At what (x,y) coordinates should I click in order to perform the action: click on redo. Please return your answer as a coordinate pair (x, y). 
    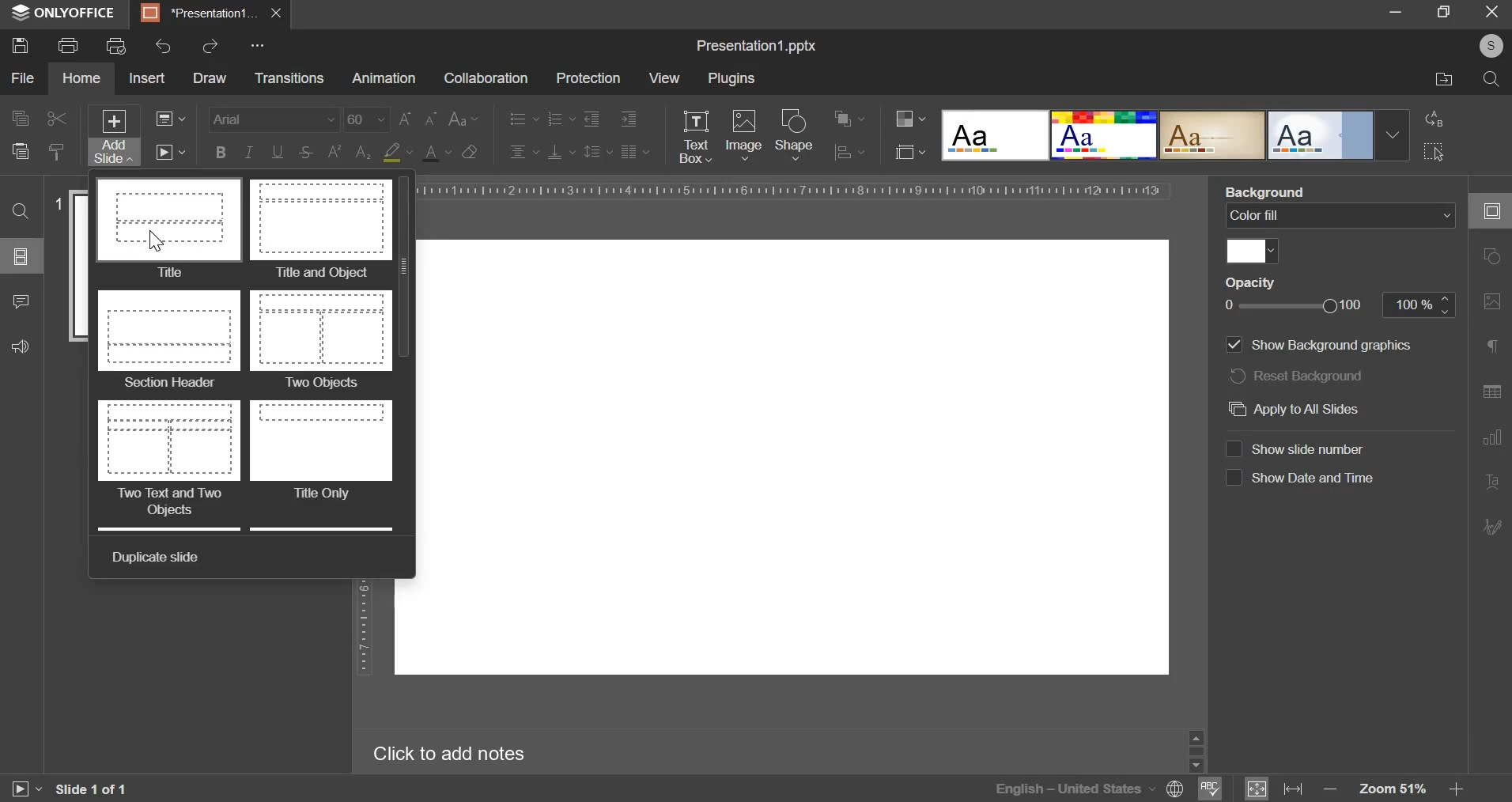
    Looking at the image, I should click on (209, 45).